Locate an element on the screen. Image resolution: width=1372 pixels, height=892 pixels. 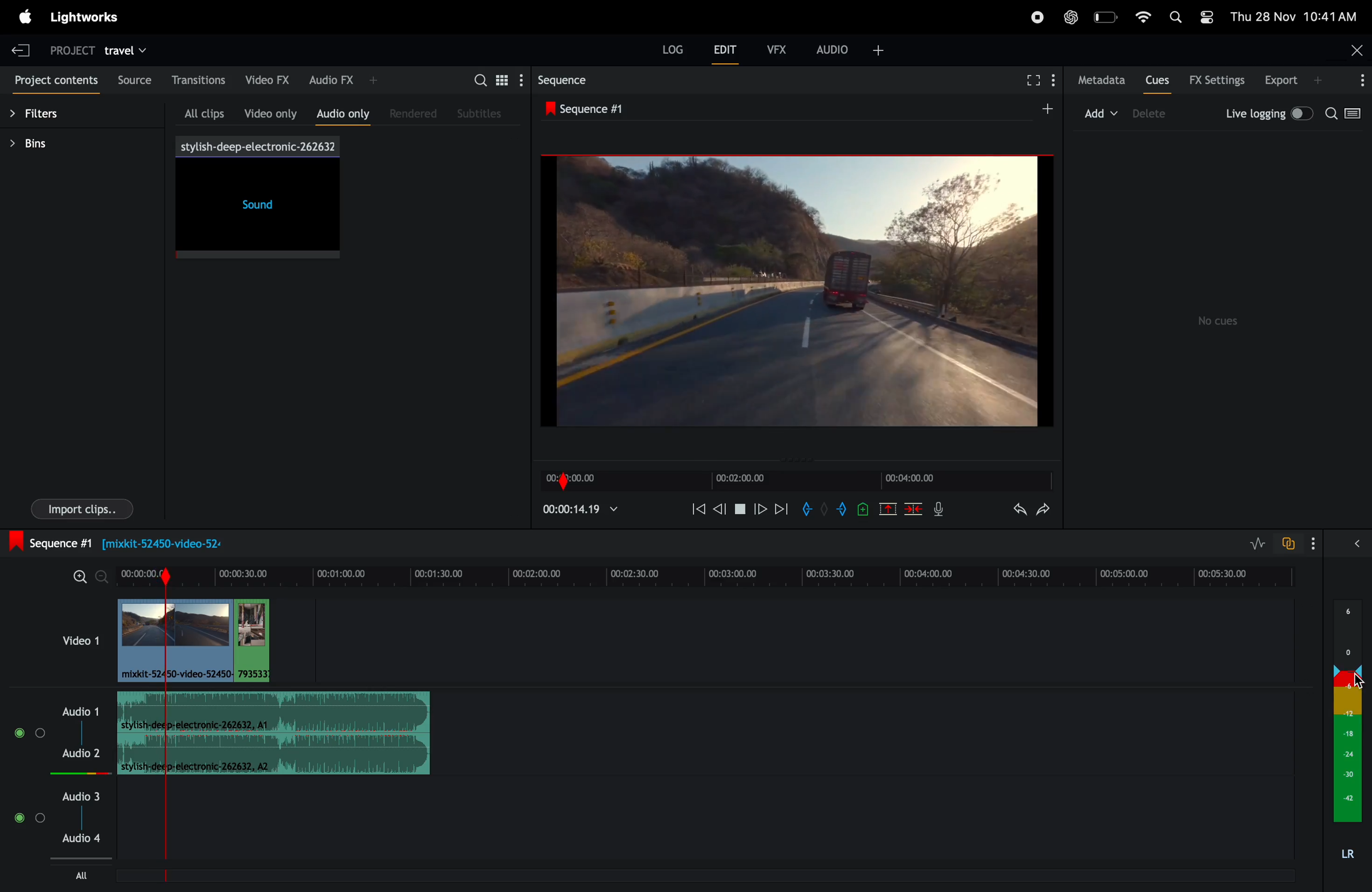
battery is located at coordinates (1106, 16).